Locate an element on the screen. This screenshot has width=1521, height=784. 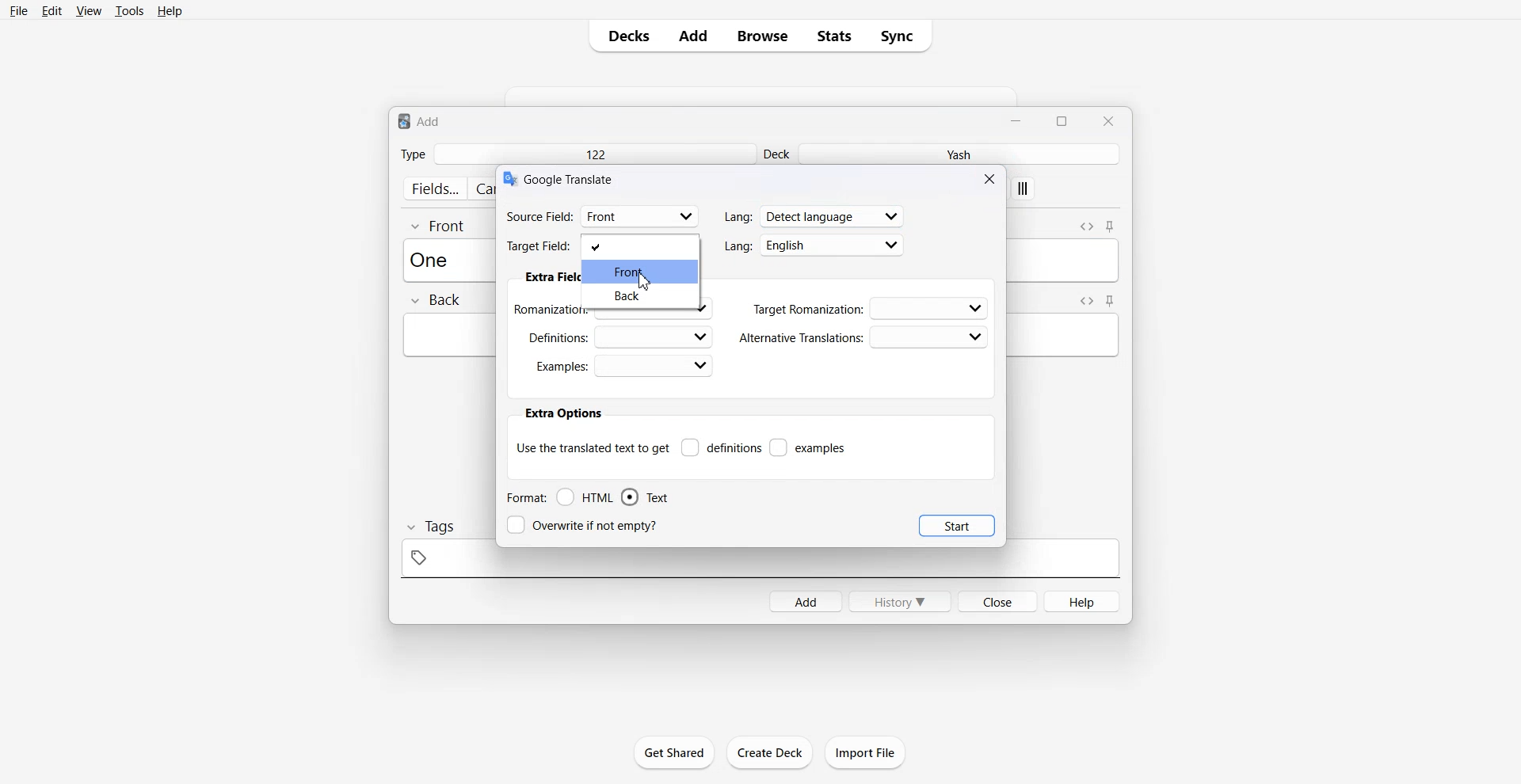
Target Romanization is located at coordinates (871, 308).